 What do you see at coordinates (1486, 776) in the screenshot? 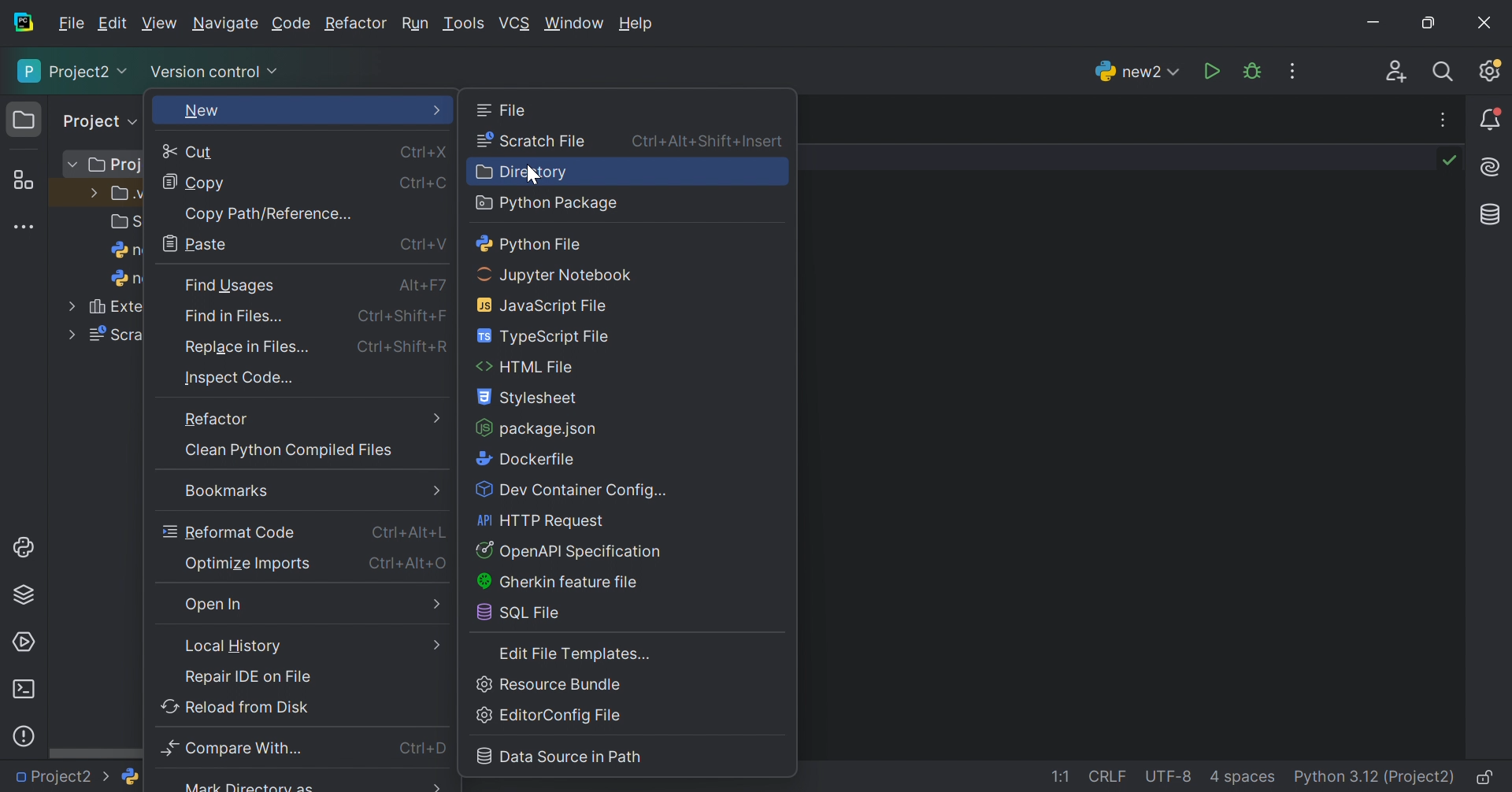
I see `Make file read-only` at bounding box center [1486, 776].